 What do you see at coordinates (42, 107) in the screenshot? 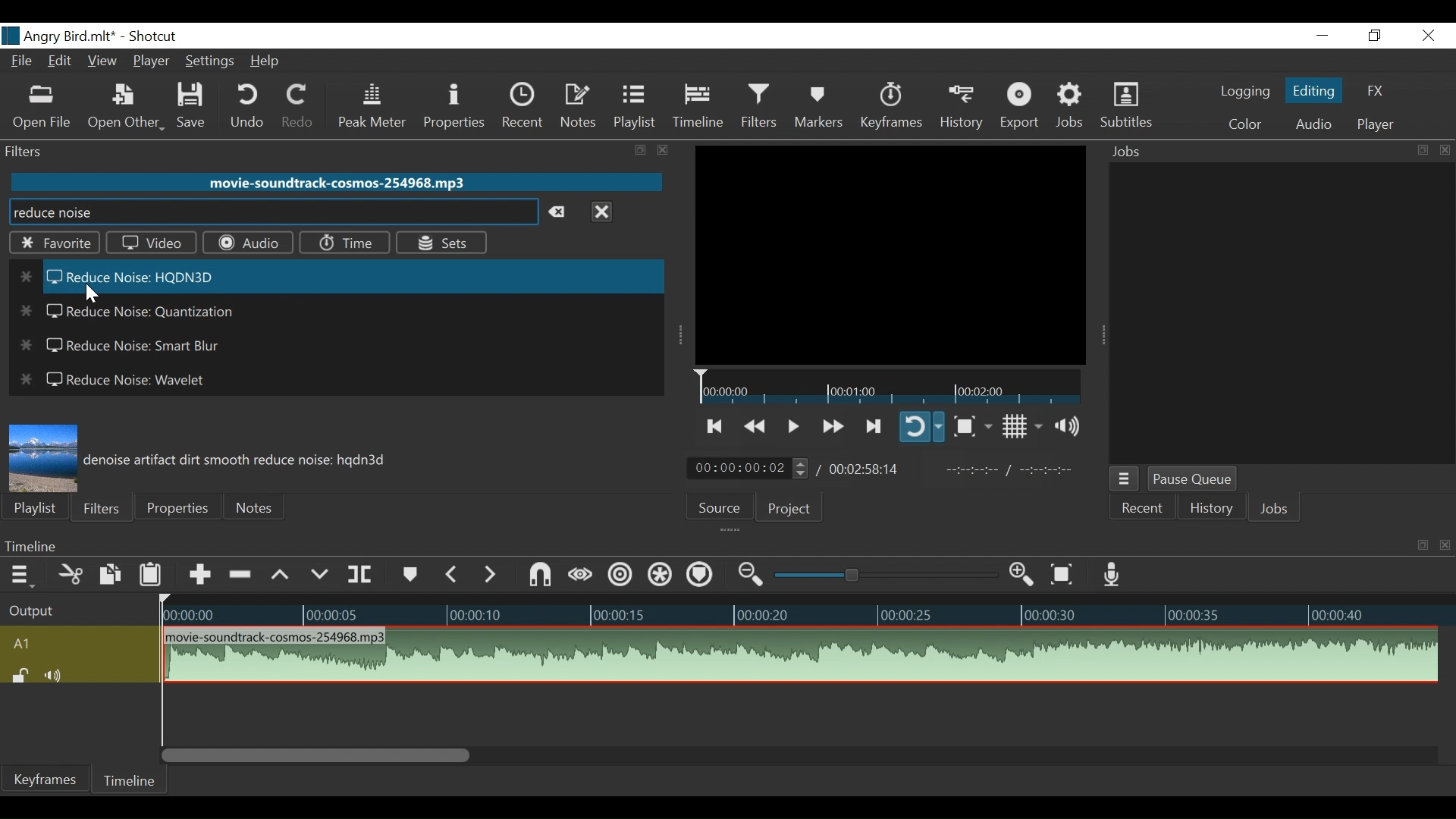
I see `Open File` at bounding box center [42, 107].